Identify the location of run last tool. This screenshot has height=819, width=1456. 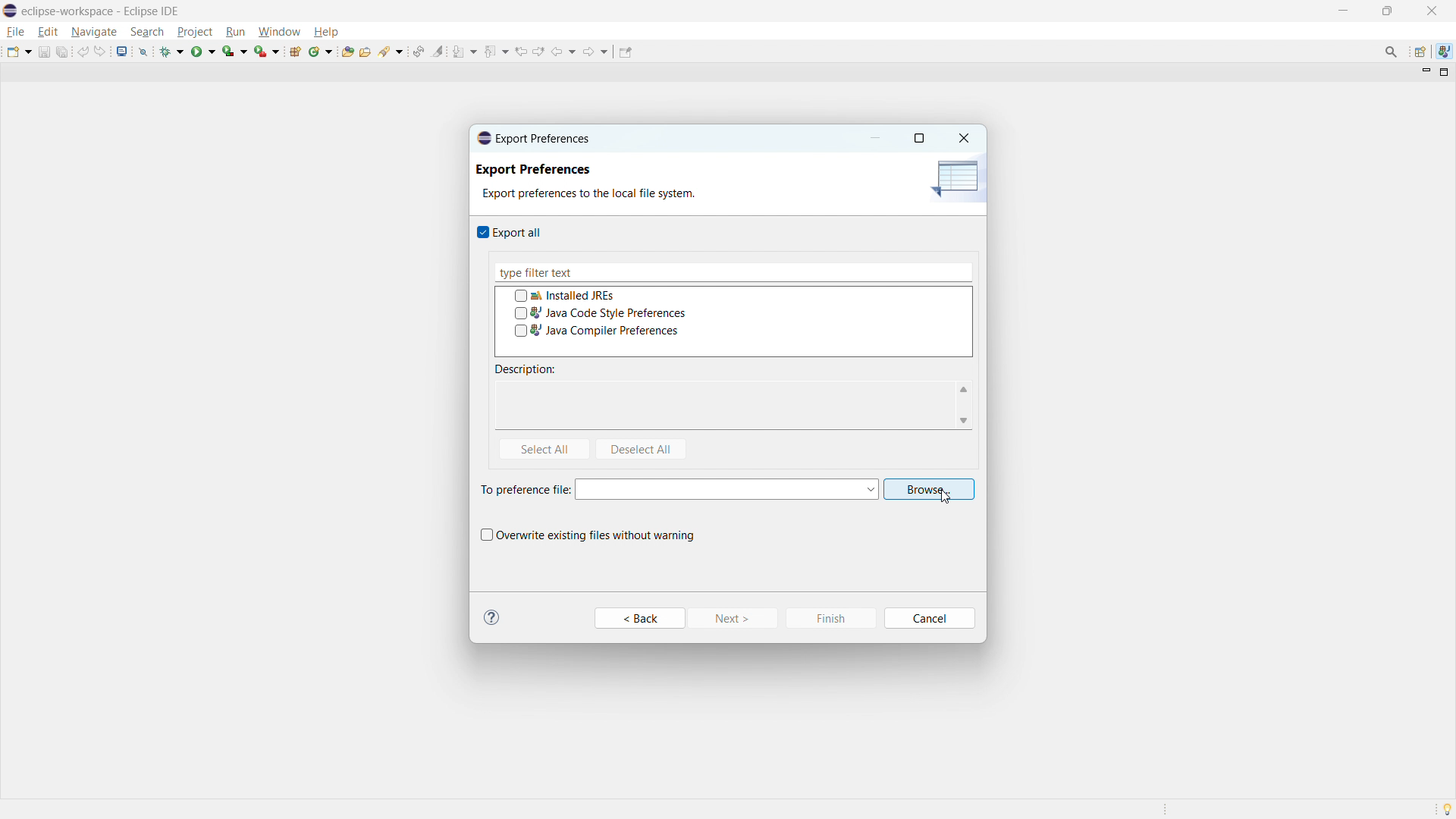
(266, 50).